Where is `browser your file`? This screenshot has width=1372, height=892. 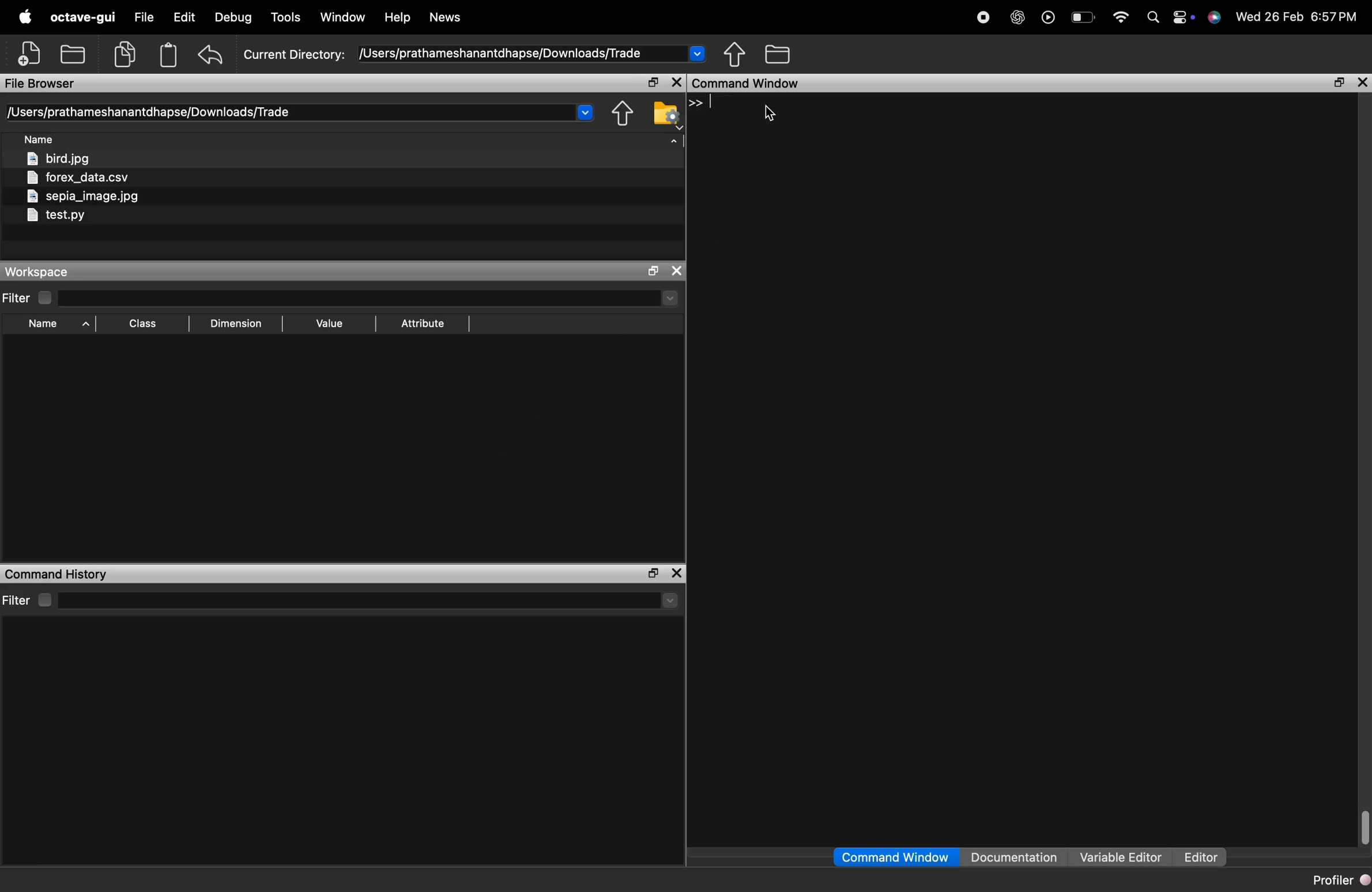 browser your file is located at coordinates (666, 117).